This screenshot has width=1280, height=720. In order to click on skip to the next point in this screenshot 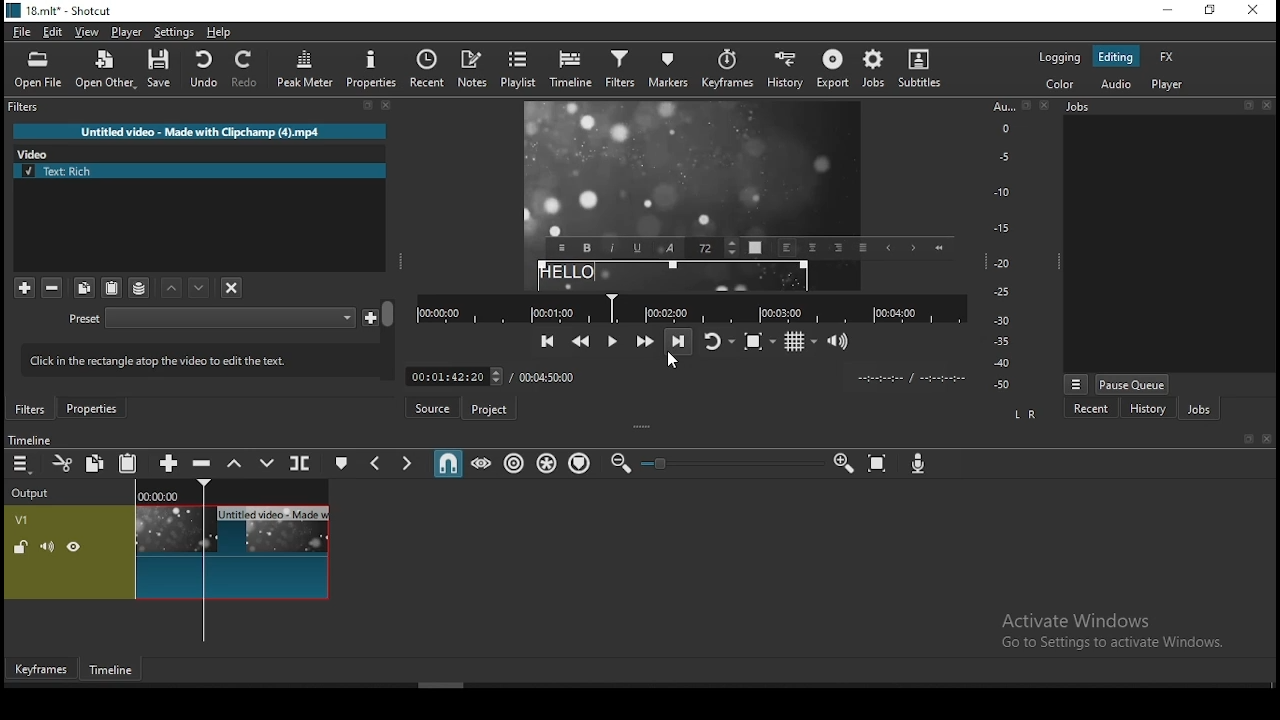, I will do `click(679, 340)`.